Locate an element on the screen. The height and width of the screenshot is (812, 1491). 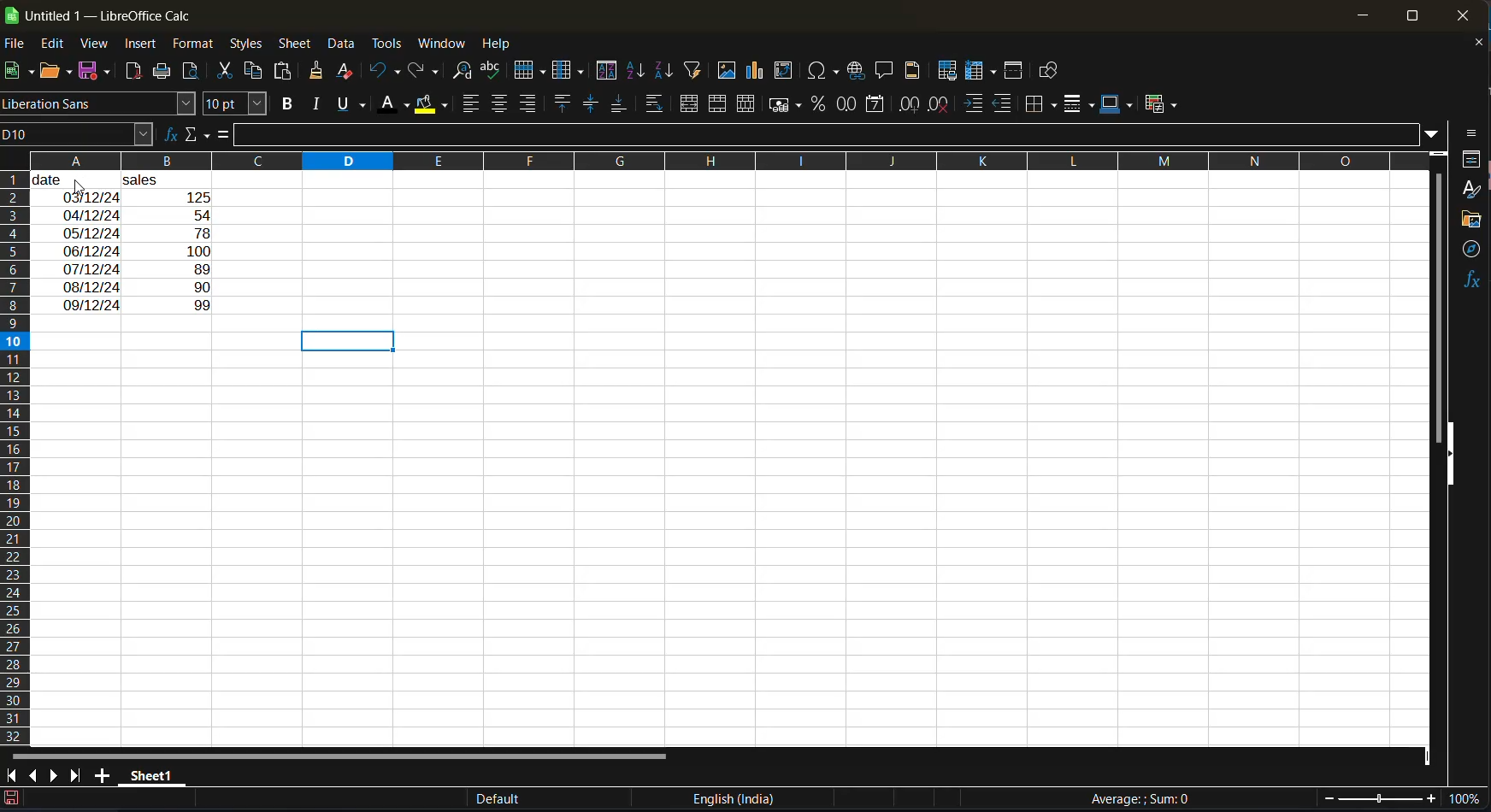
scroll to next sheet is located at coordinates (56, 778).